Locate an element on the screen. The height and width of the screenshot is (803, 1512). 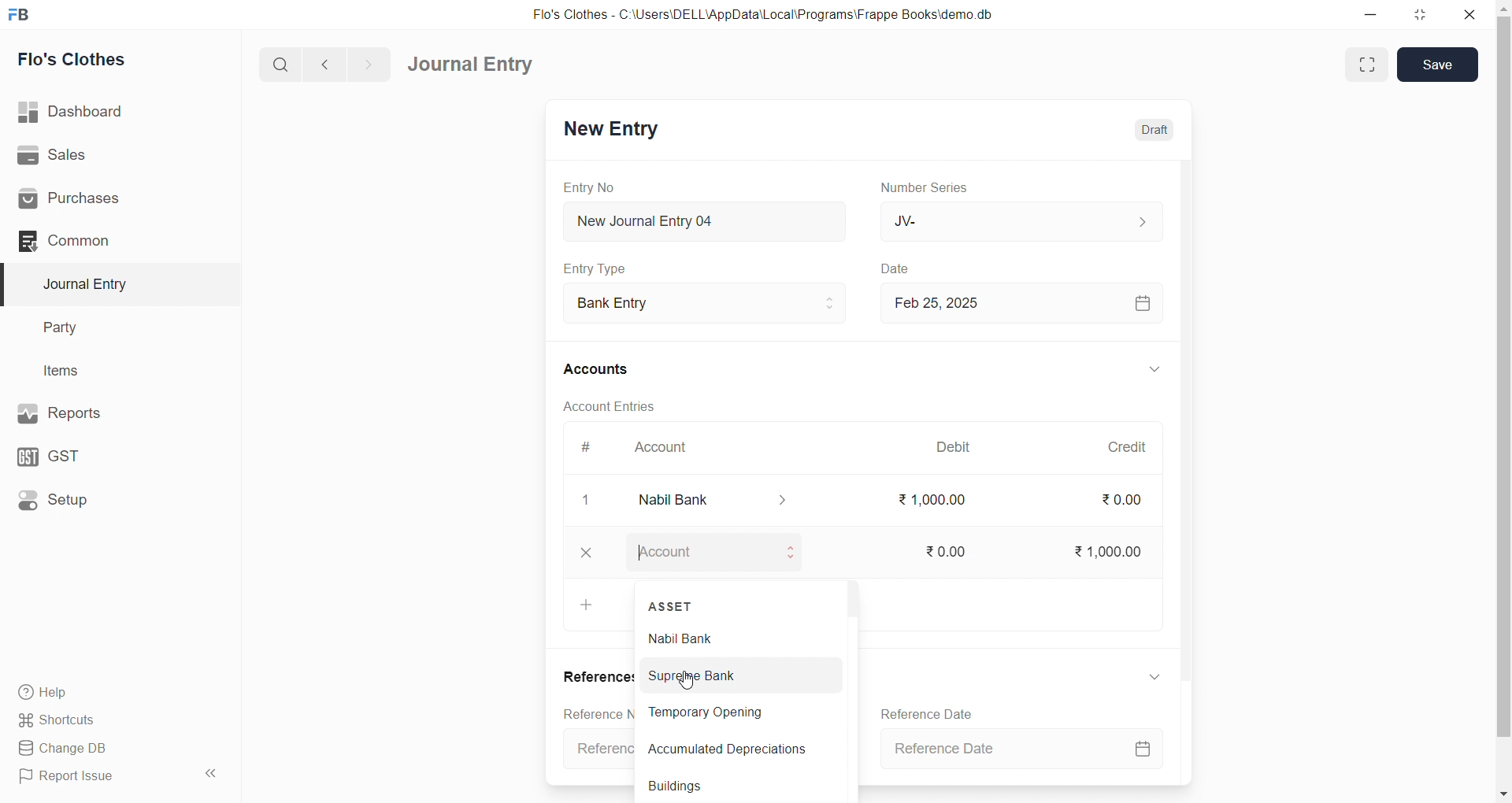
Account Entries is located at coordinates (616, 405).